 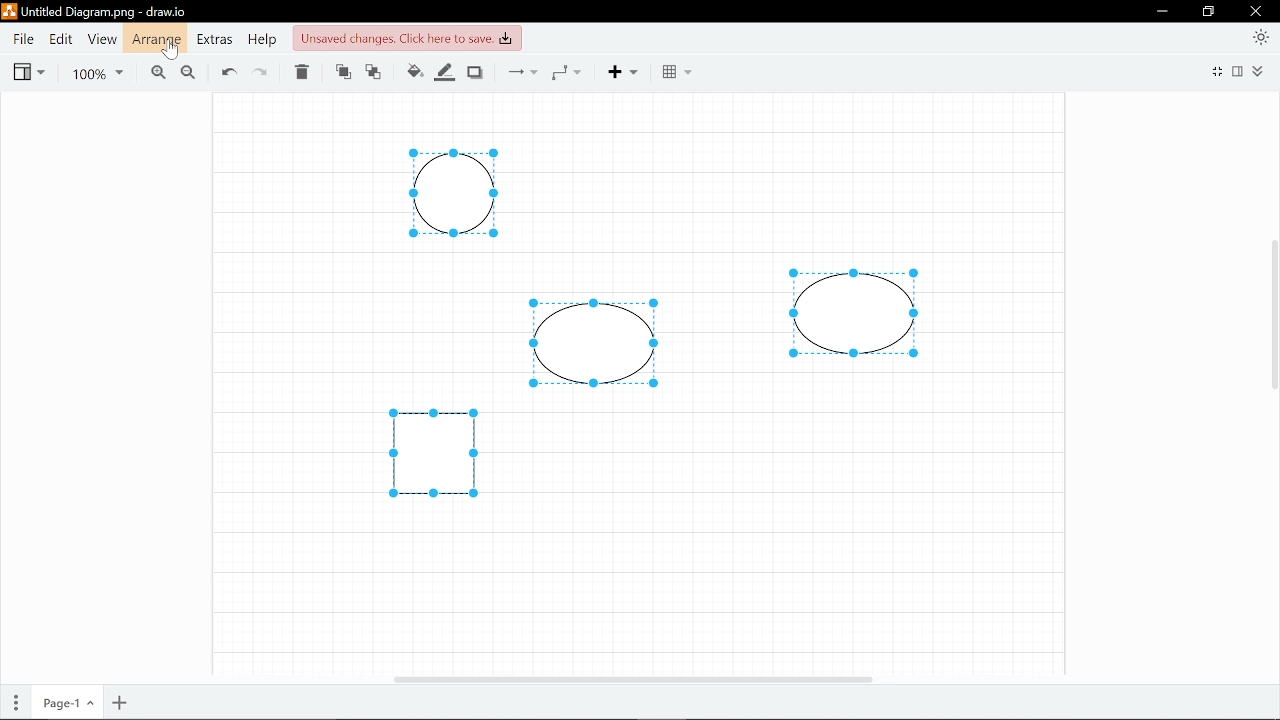 What do you see at coordinates (377, 73) in the screenshot?
I see `To bak` at bounding box center [377, 73].